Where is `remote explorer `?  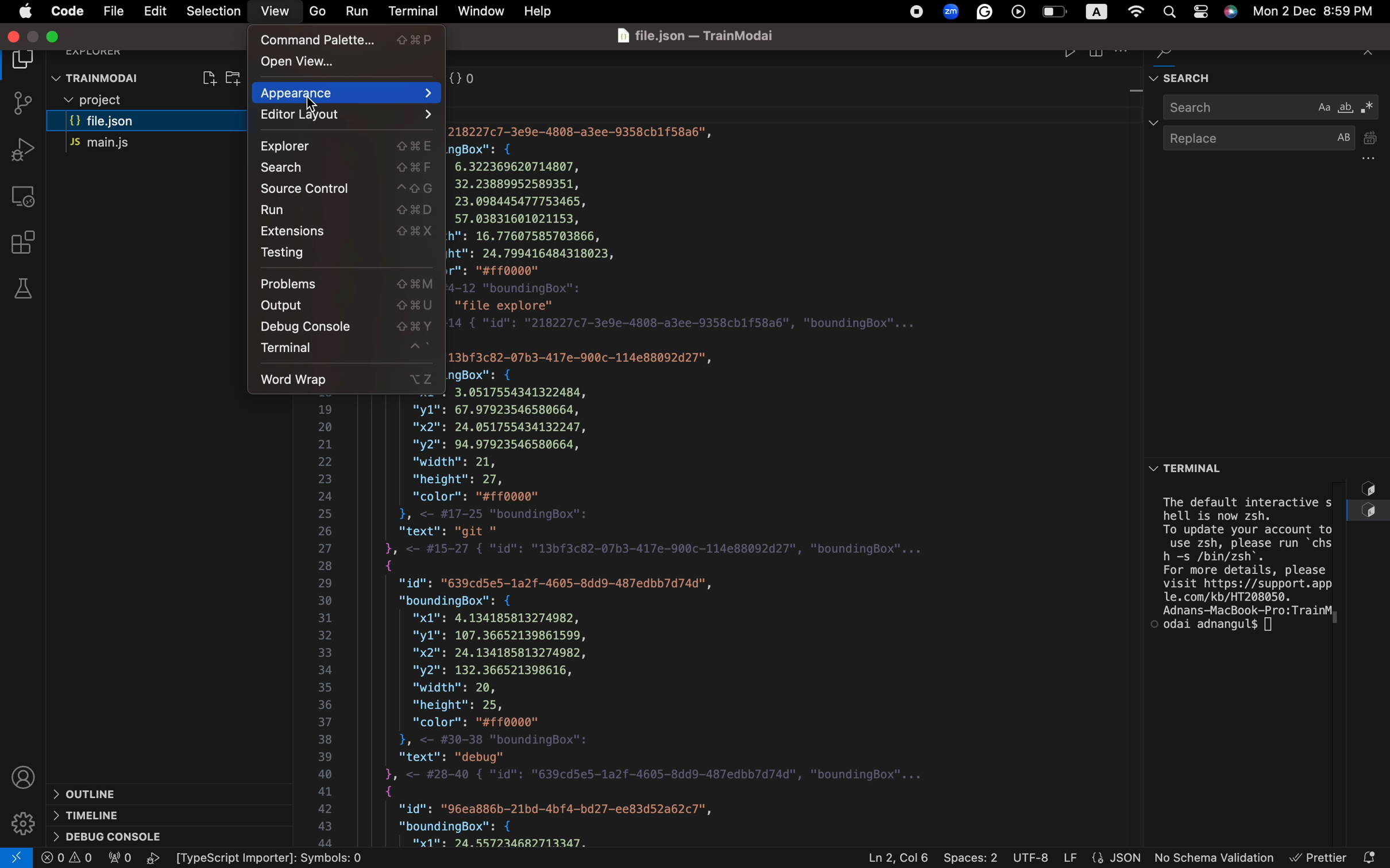
remote explorer  is located at coordinates (25, 196).